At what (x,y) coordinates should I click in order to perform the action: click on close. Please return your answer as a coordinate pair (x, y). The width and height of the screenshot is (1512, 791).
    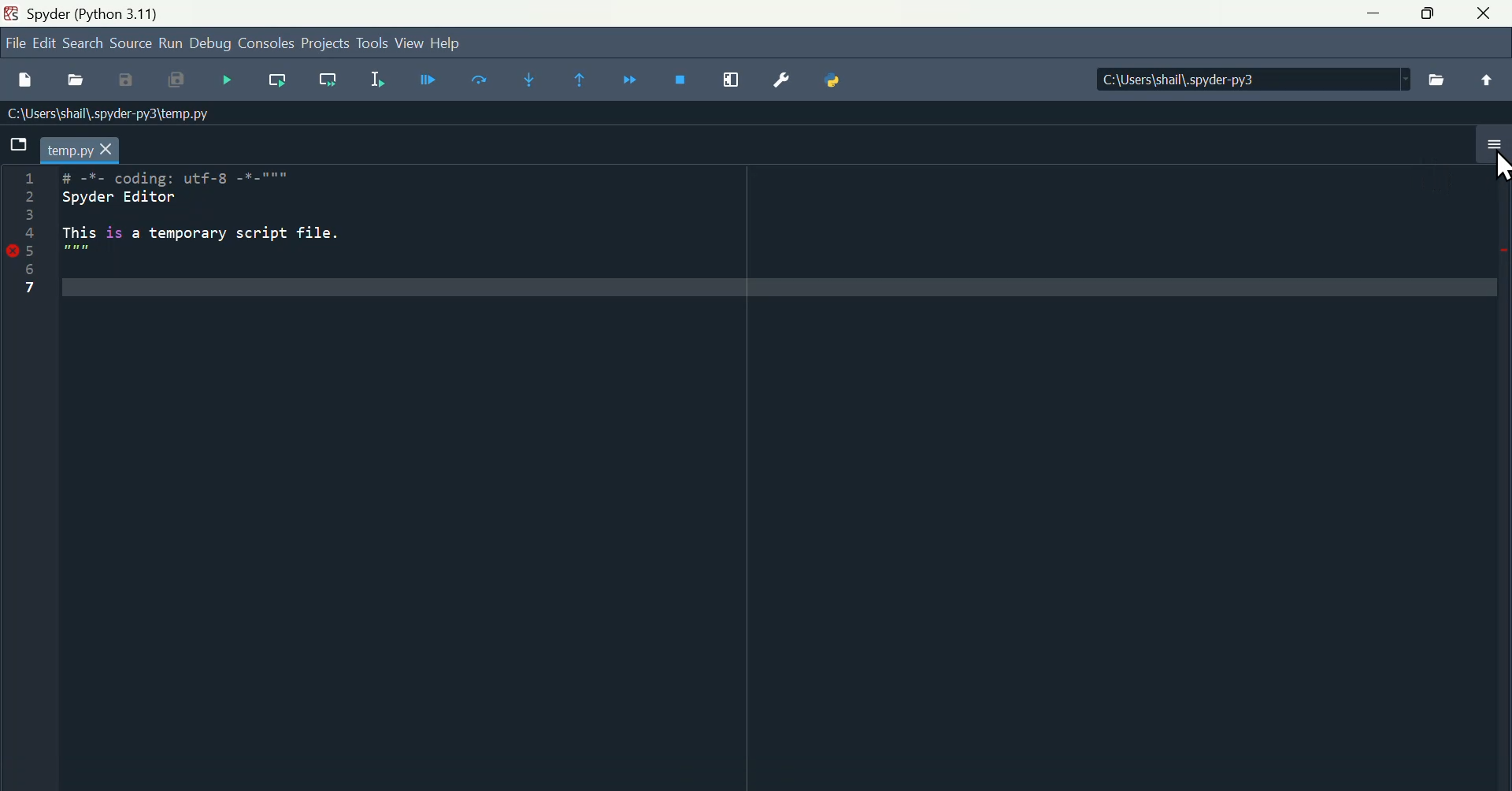
    Looking at the image, I should click on (1484, 17).